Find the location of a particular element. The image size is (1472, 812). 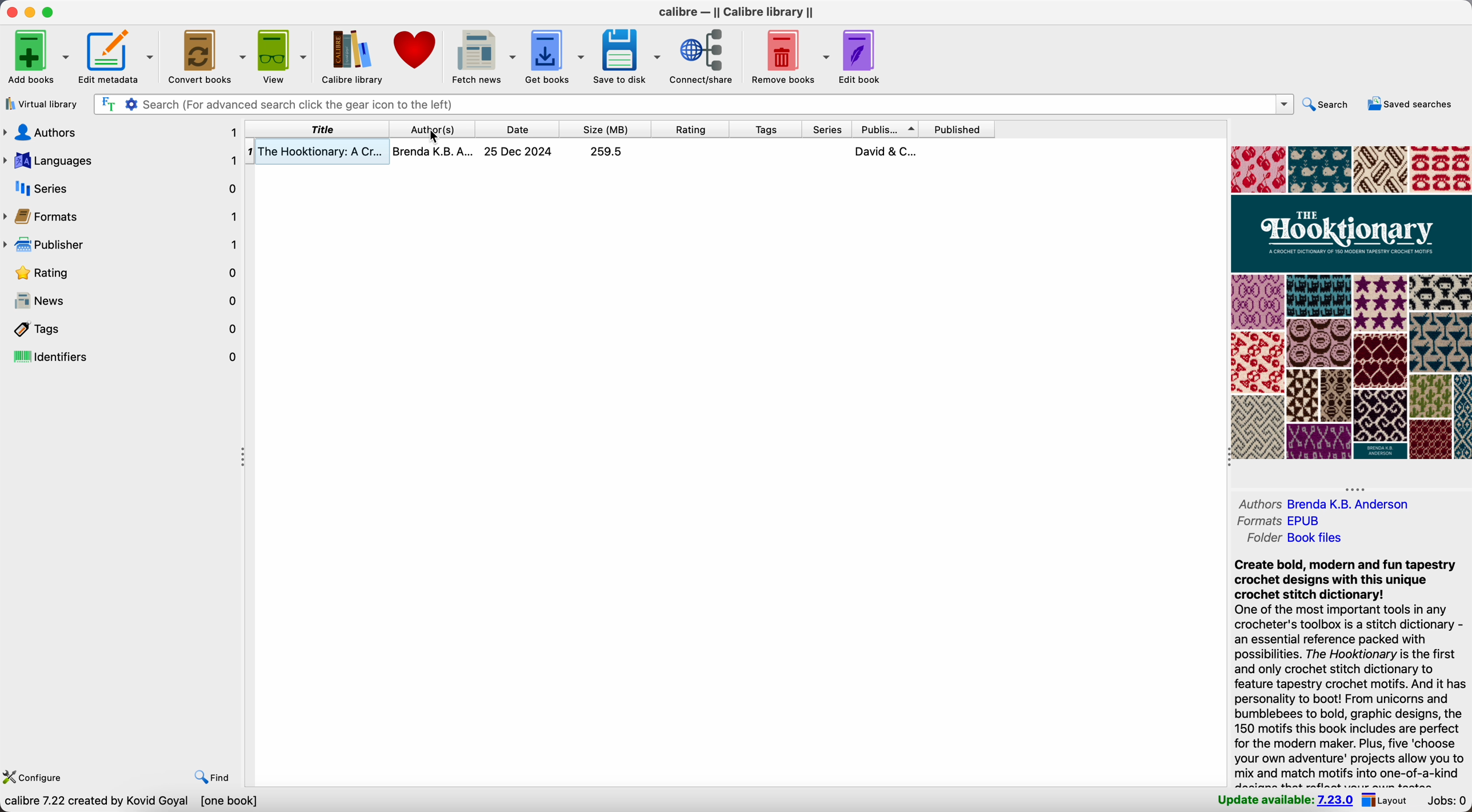

saved searches is located at coordinates (1411, 103).